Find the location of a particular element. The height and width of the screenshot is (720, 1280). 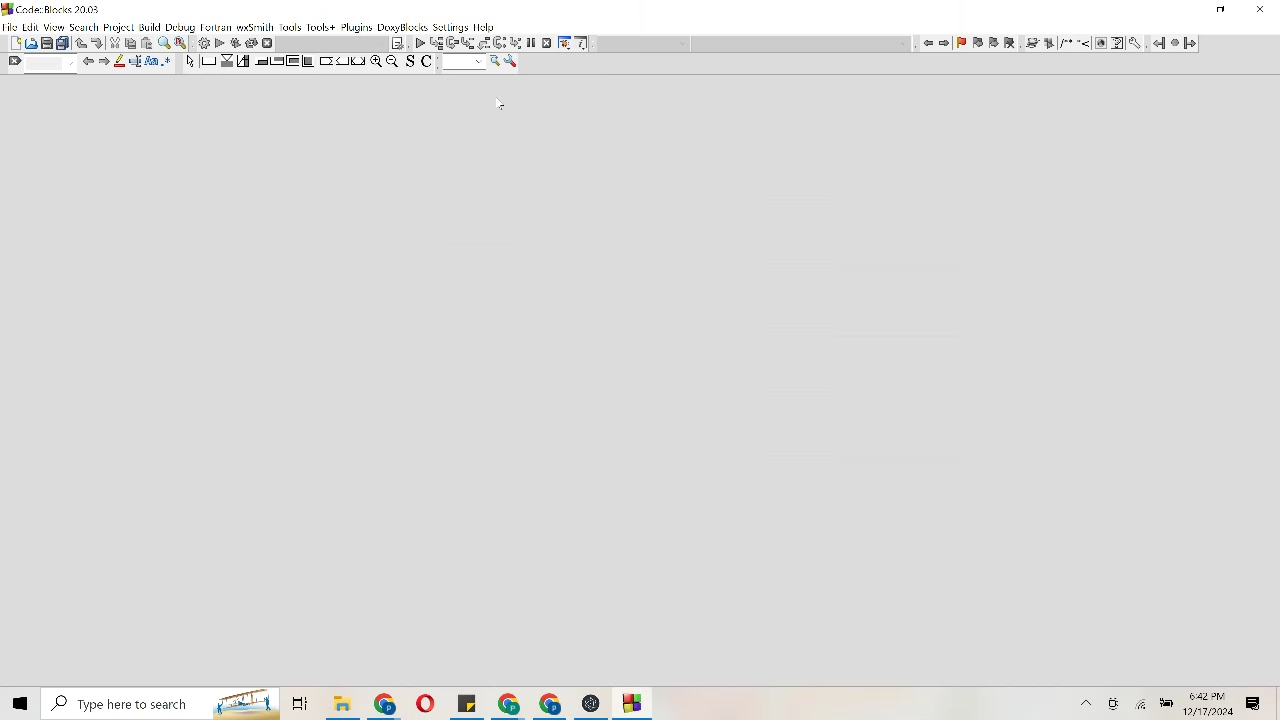

flag item is located at coordinates (986, 43).